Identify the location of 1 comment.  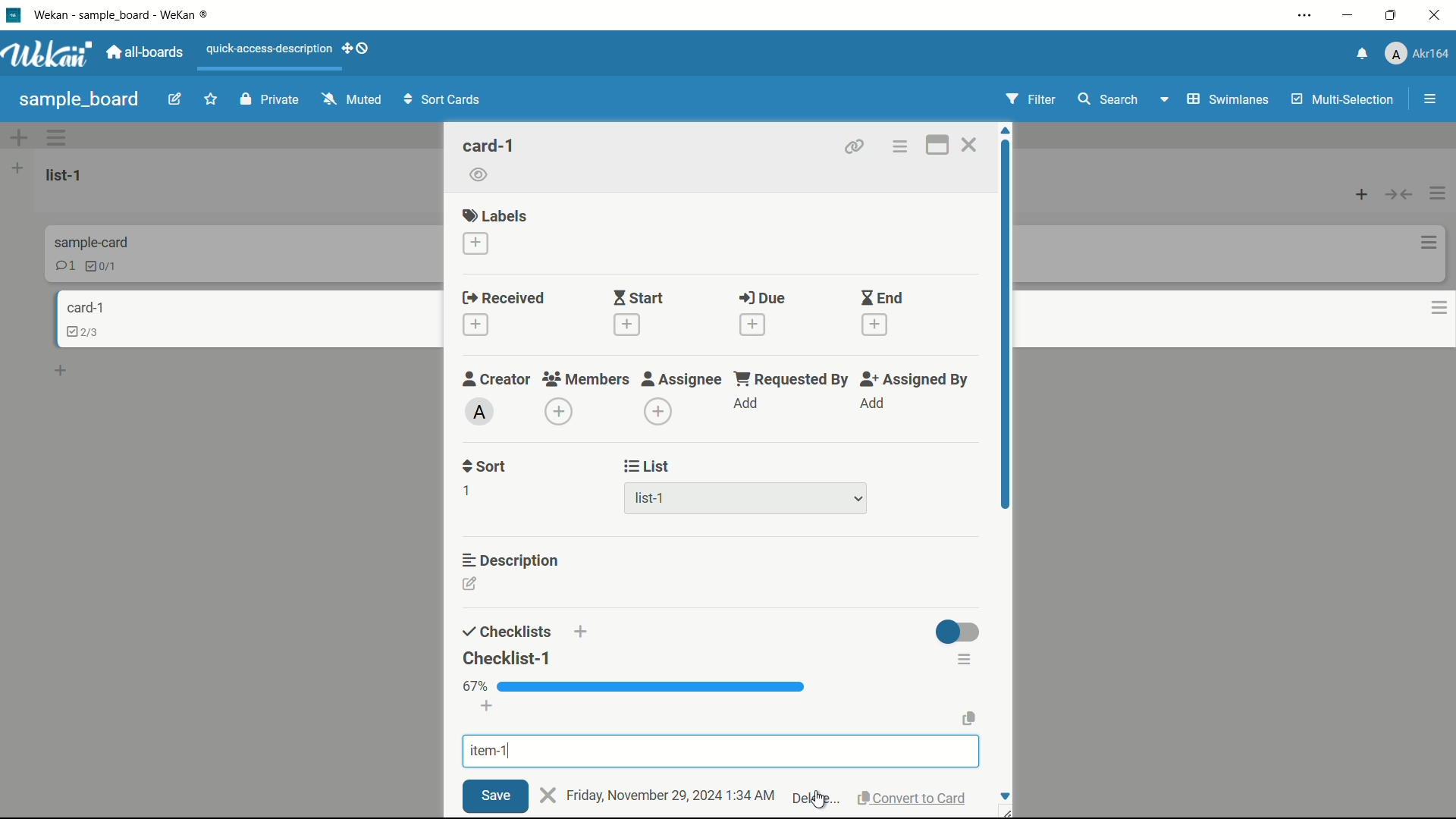
(64, 265).